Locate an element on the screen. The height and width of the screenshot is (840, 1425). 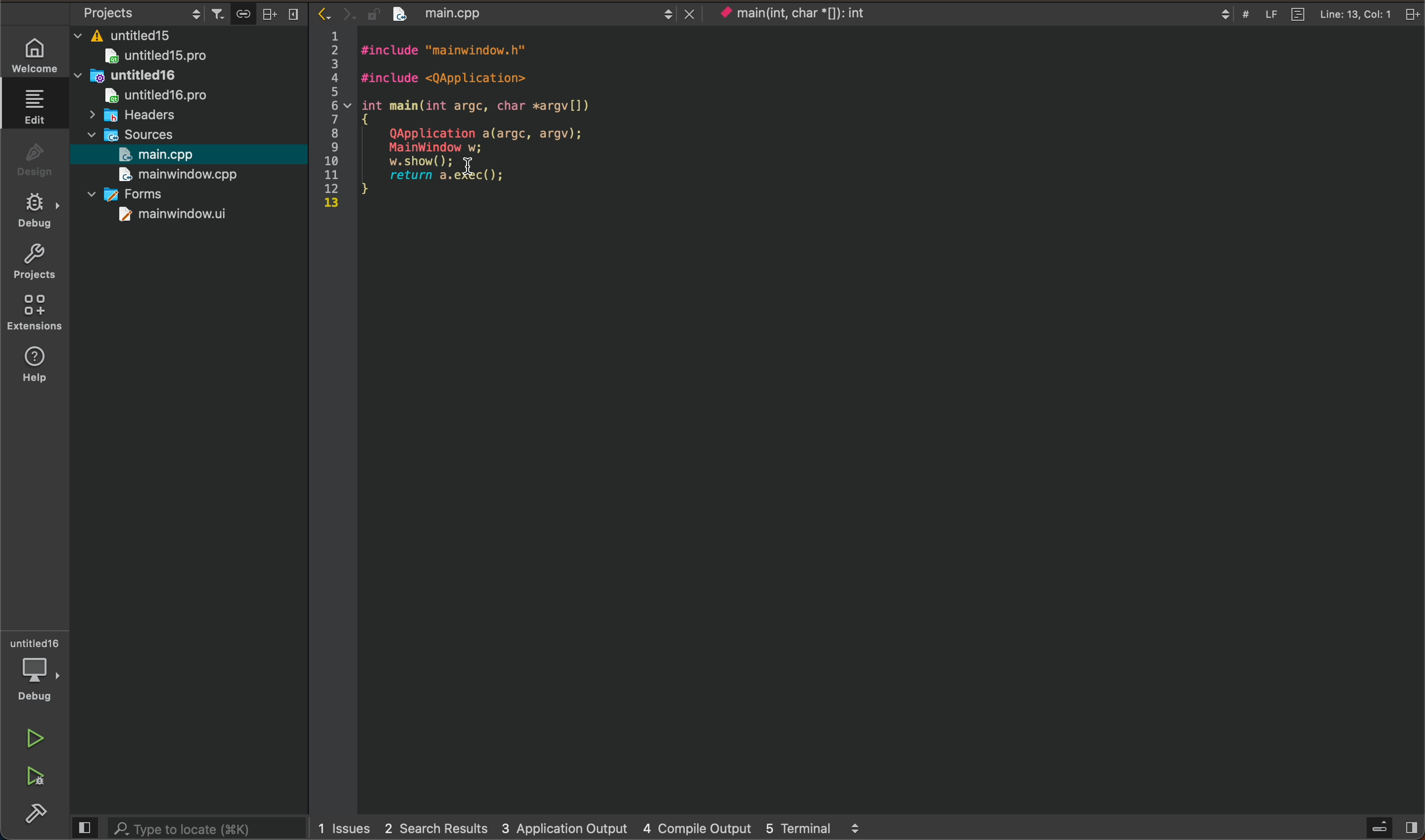
mainwindow.cpp is located at coordinates (173, 175).